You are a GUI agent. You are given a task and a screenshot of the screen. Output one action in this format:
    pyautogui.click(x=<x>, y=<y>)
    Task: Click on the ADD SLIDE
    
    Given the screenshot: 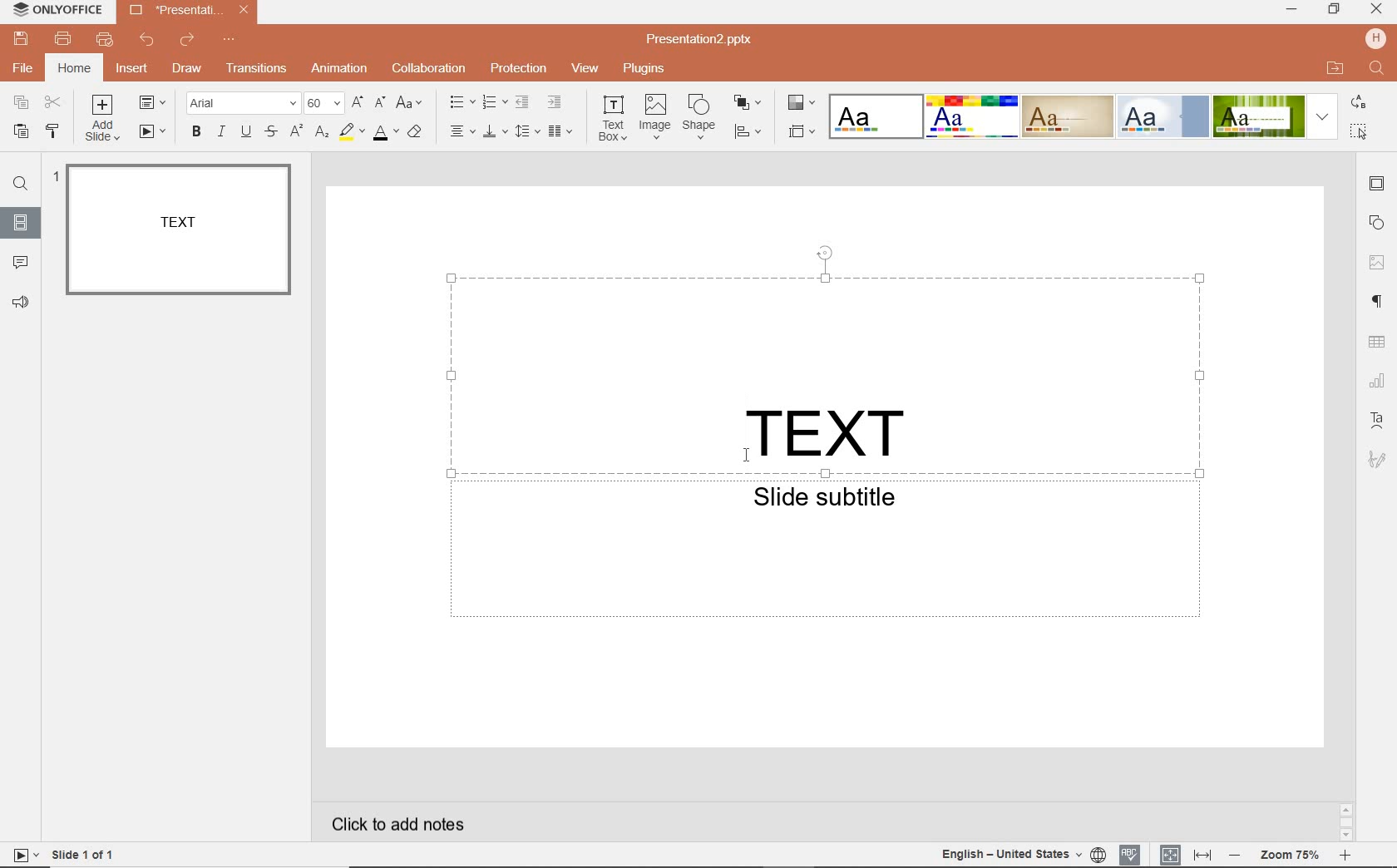 What is the action you would take?
    pyautogui.click(x=106, y=118)
    